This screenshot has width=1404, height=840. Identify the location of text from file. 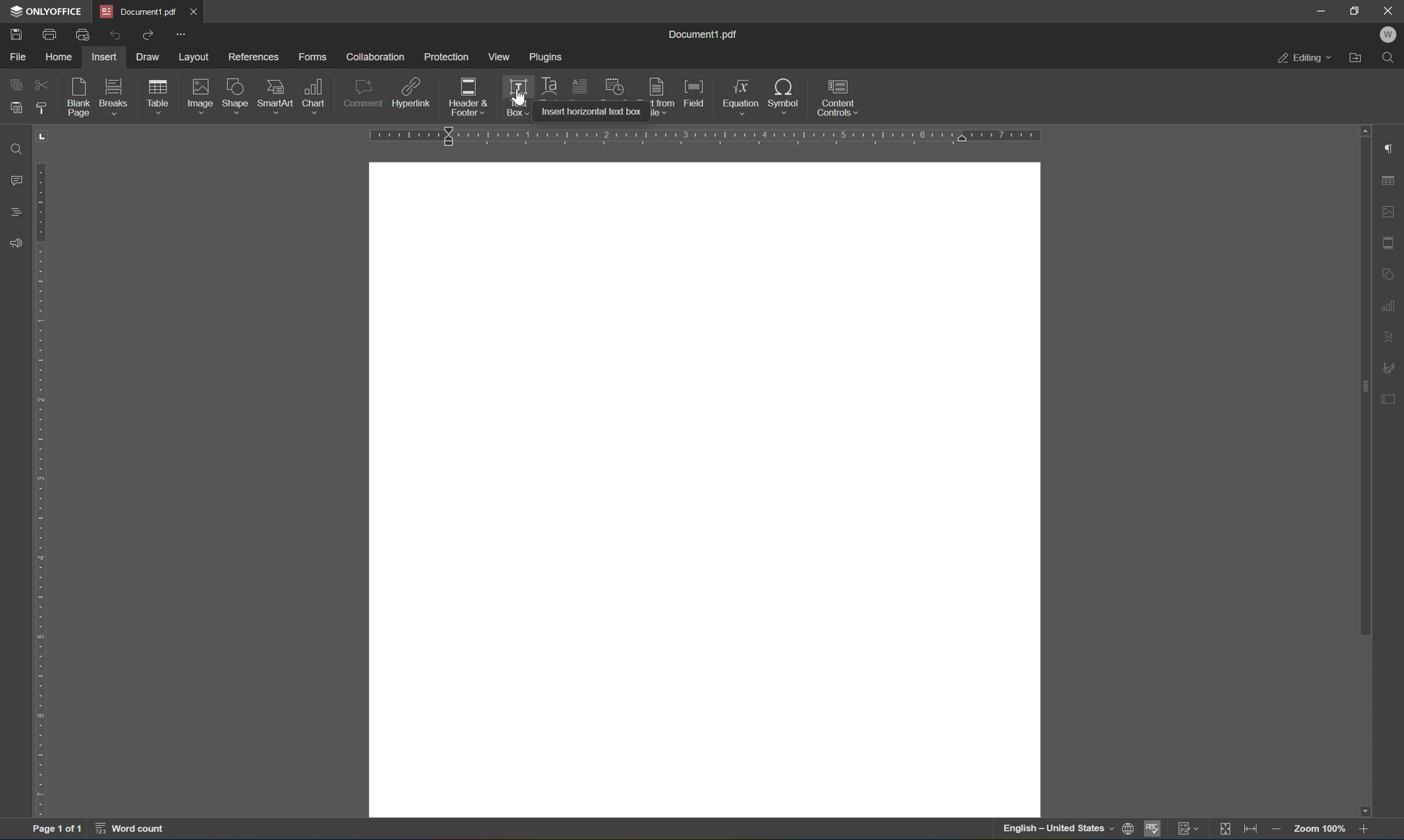
(663, 97).